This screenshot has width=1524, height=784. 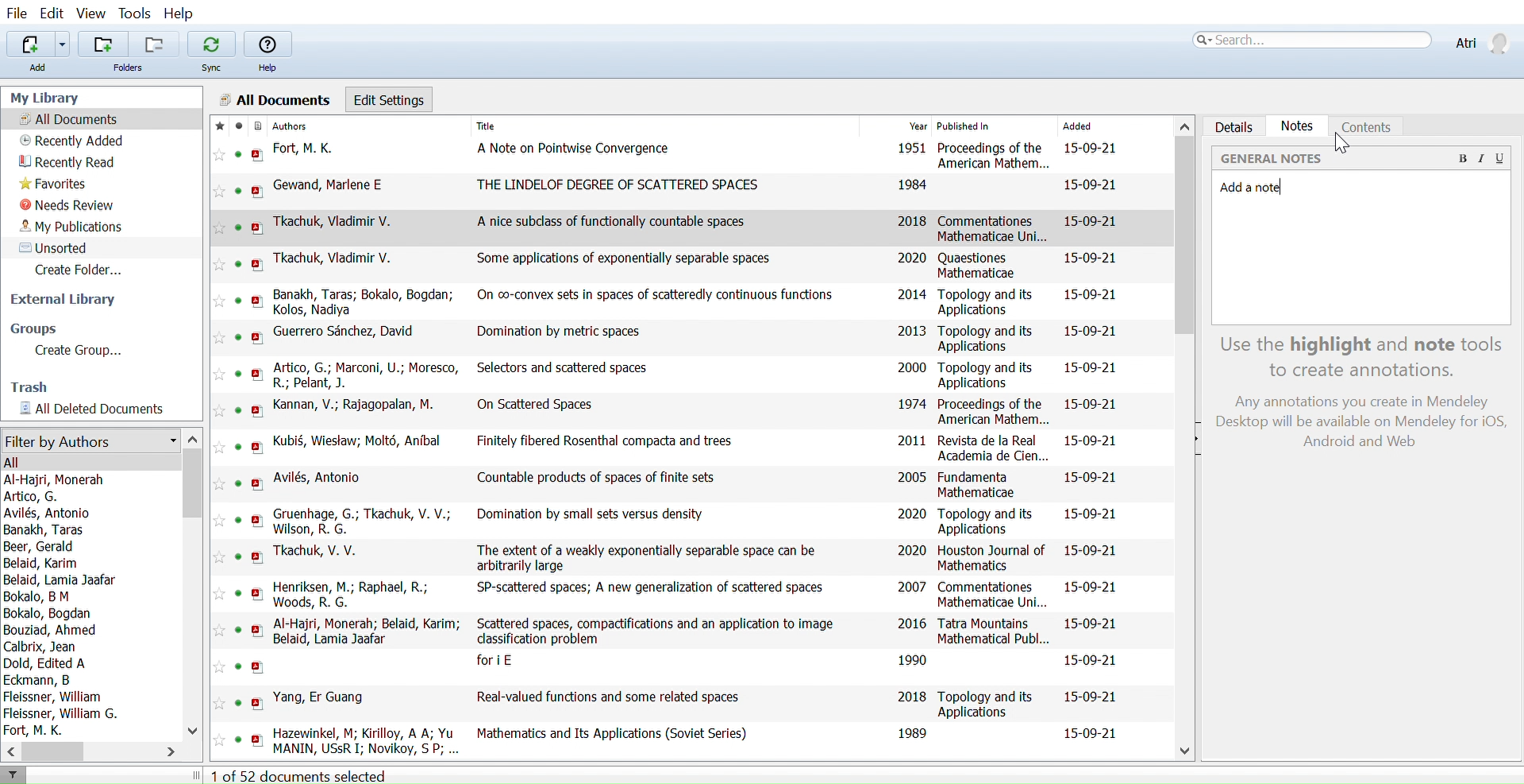 I want to click on 15-09-21, so click(x=1092, y=148).